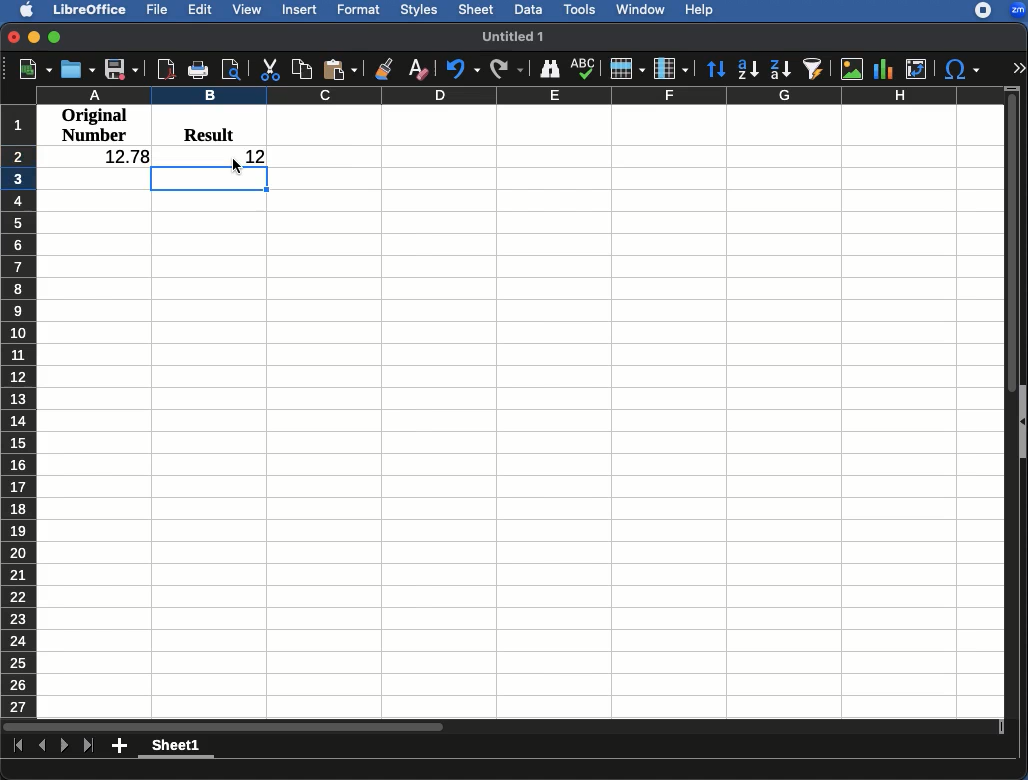 The image size is (1028, 780). What do you see at coordinates (301, 11) in the screenshot?
I see `Insert` at bounding box center [301, 11].